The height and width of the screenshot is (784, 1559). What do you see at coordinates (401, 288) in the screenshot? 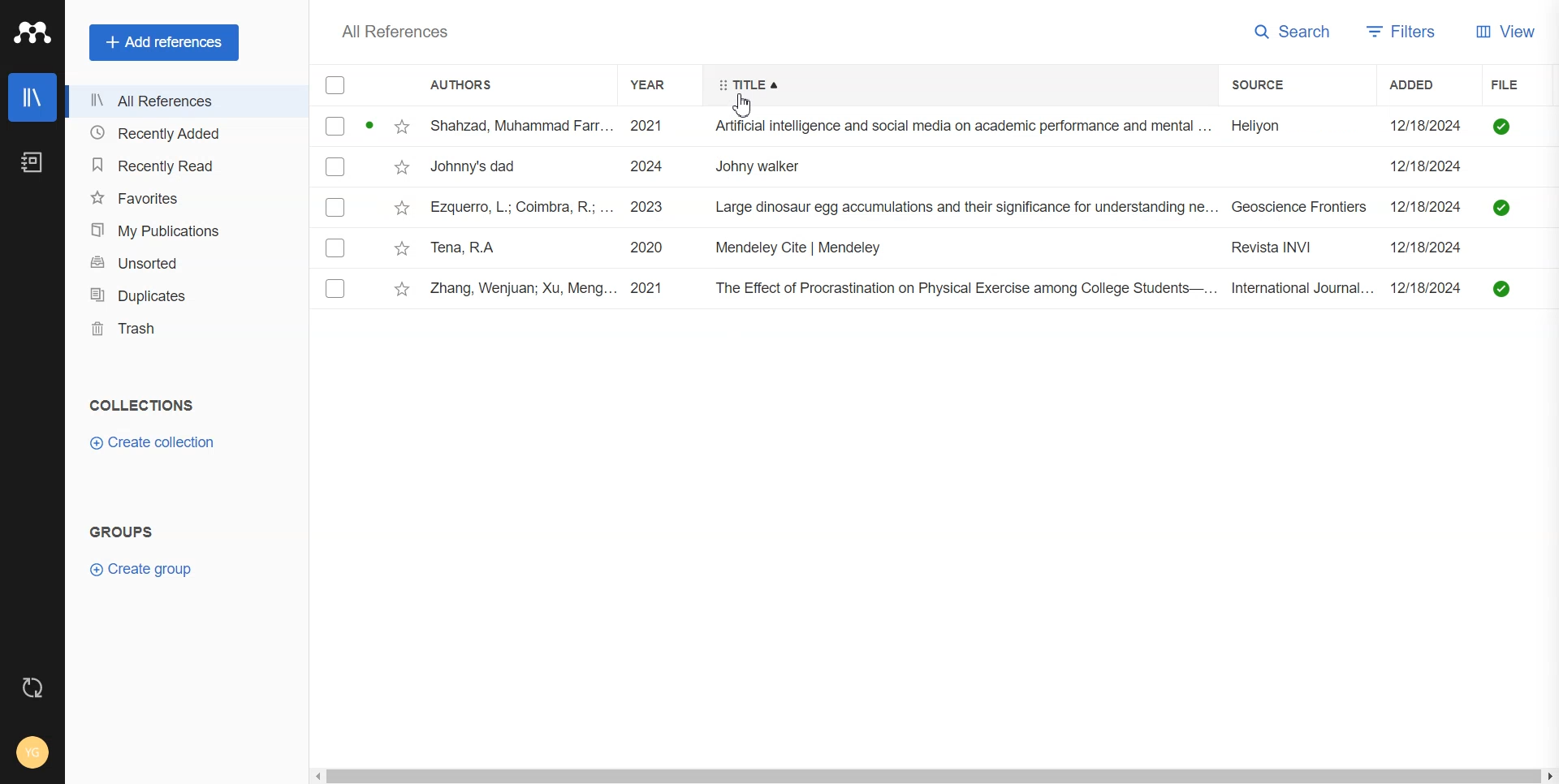
I see `mark as star` at bounding box center [401, 288].